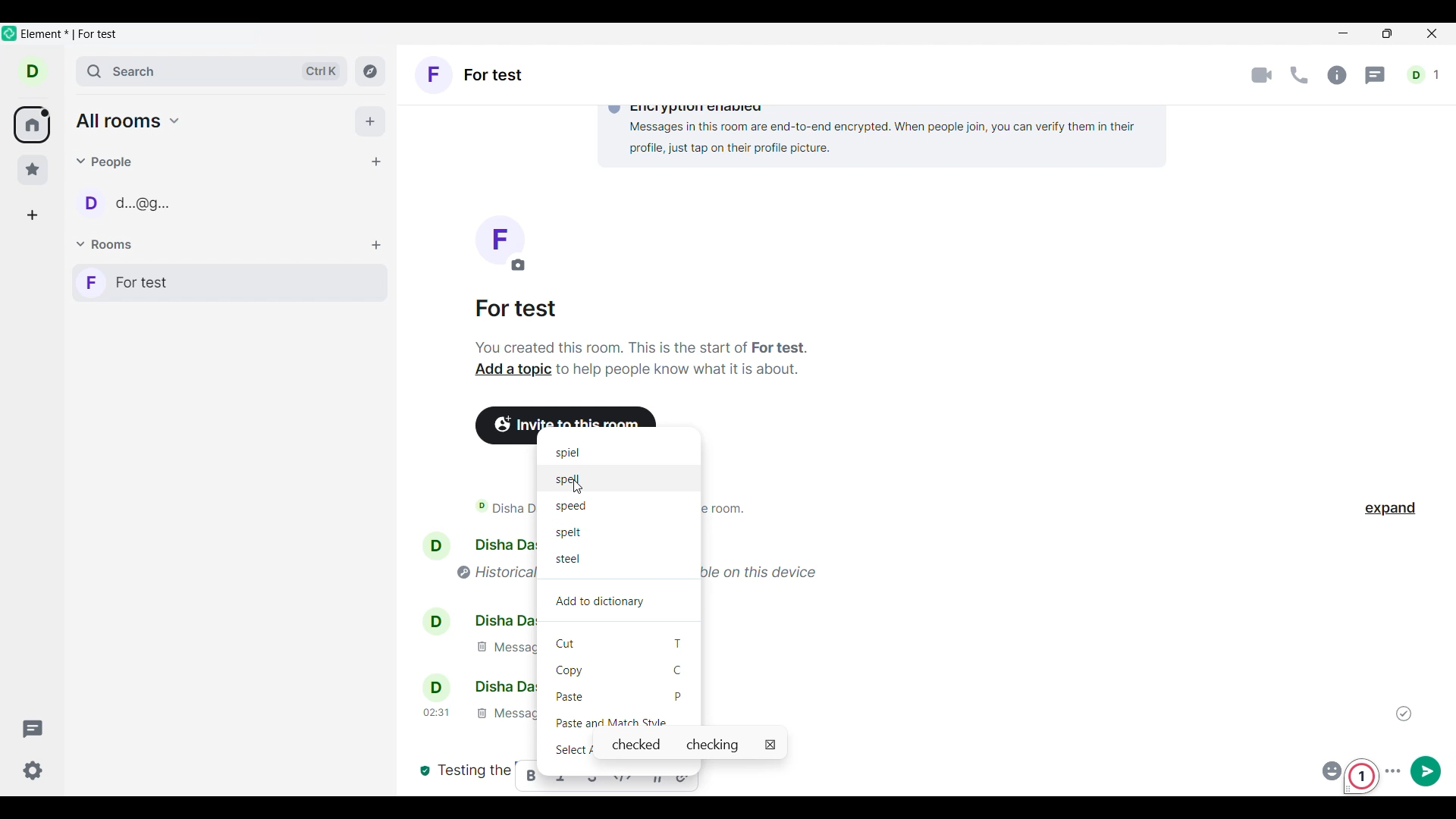 This screenshot has width=1456, height=819. What do you see at coordinates (1404, 714) in the screenshot?
I see `Indicates message was sent` at bounding box center [1404, 714].